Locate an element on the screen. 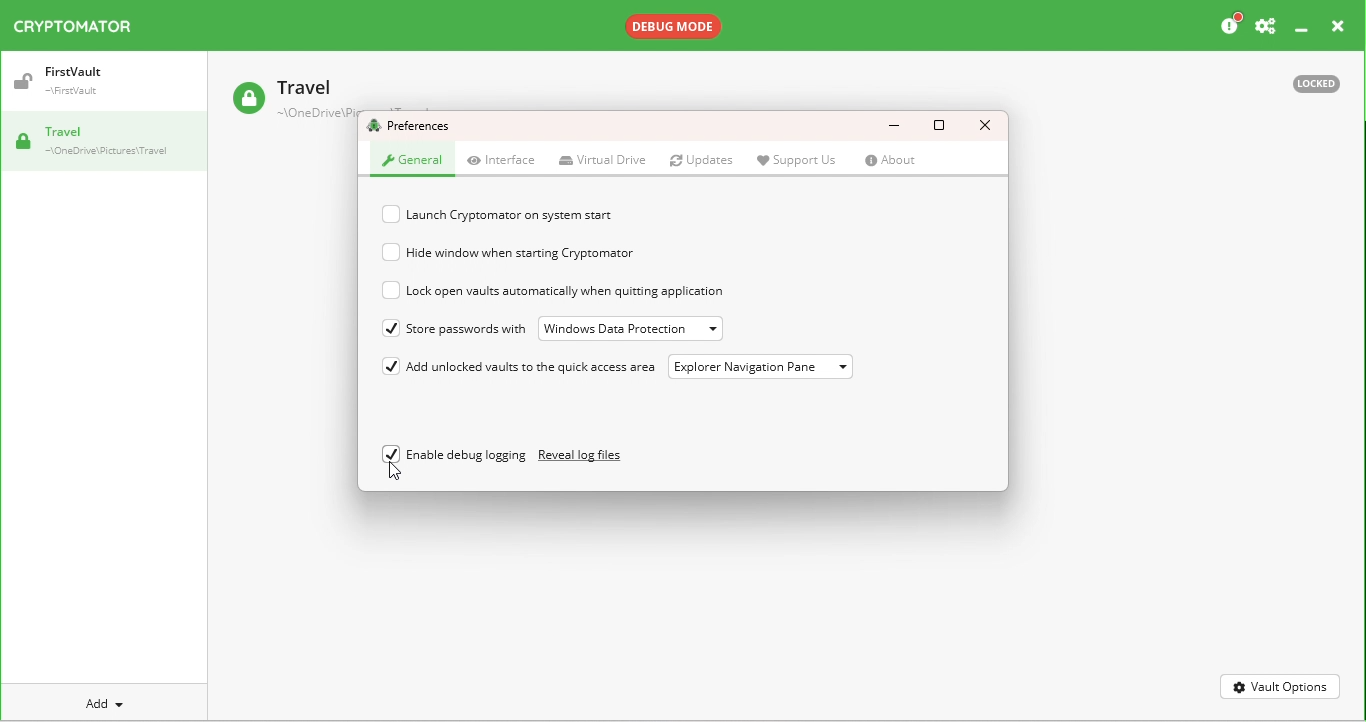 This screenshot has height=722, width=1366. Checkboz is located at coordinates (392, 290).